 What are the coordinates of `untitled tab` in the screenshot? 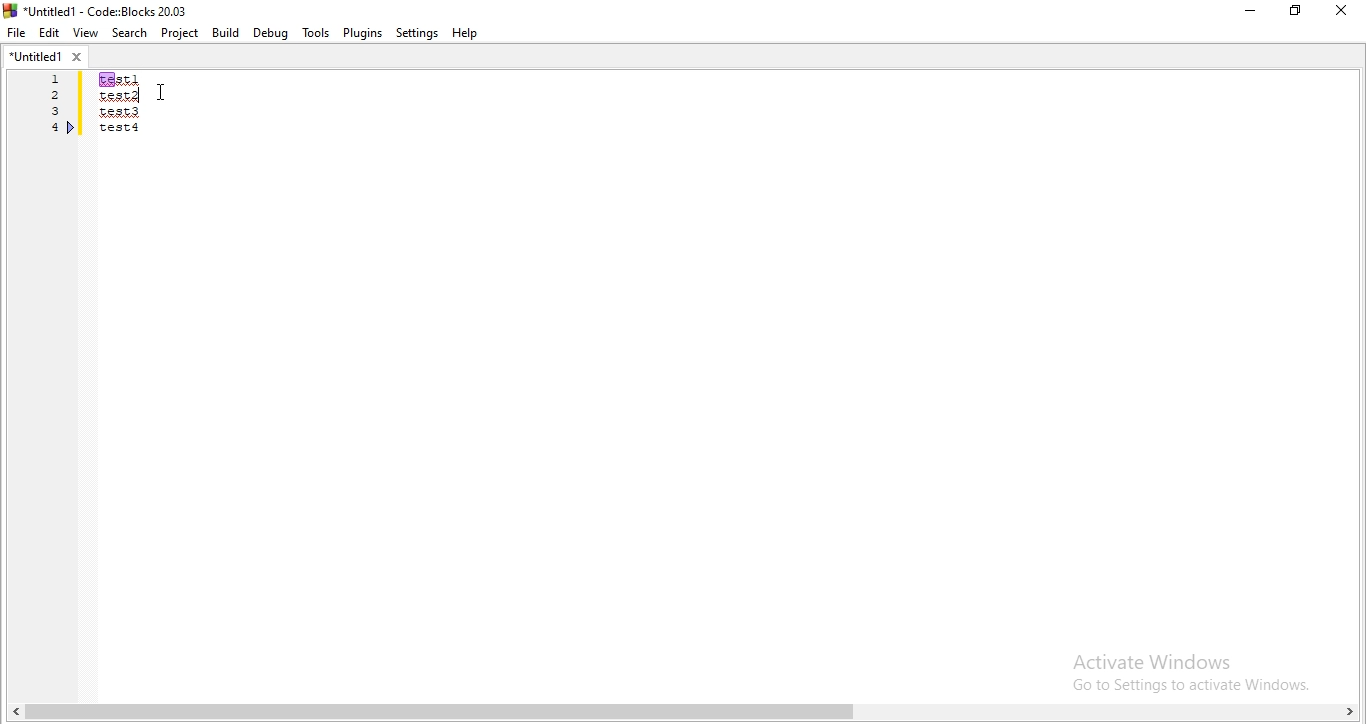 It's located at (45, 57).